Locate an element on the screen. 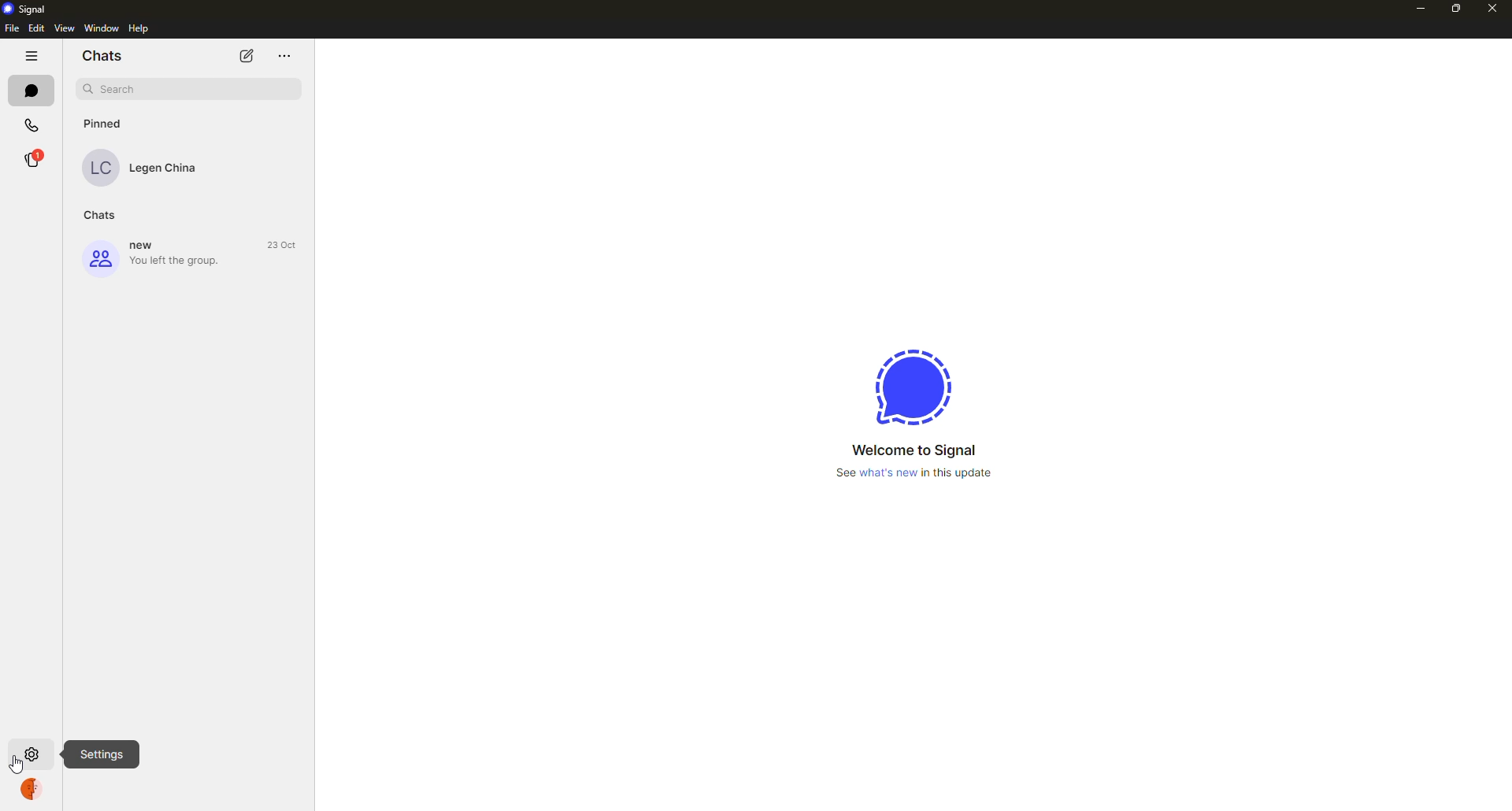  clicking on settings is located at coordinates (31, 754).